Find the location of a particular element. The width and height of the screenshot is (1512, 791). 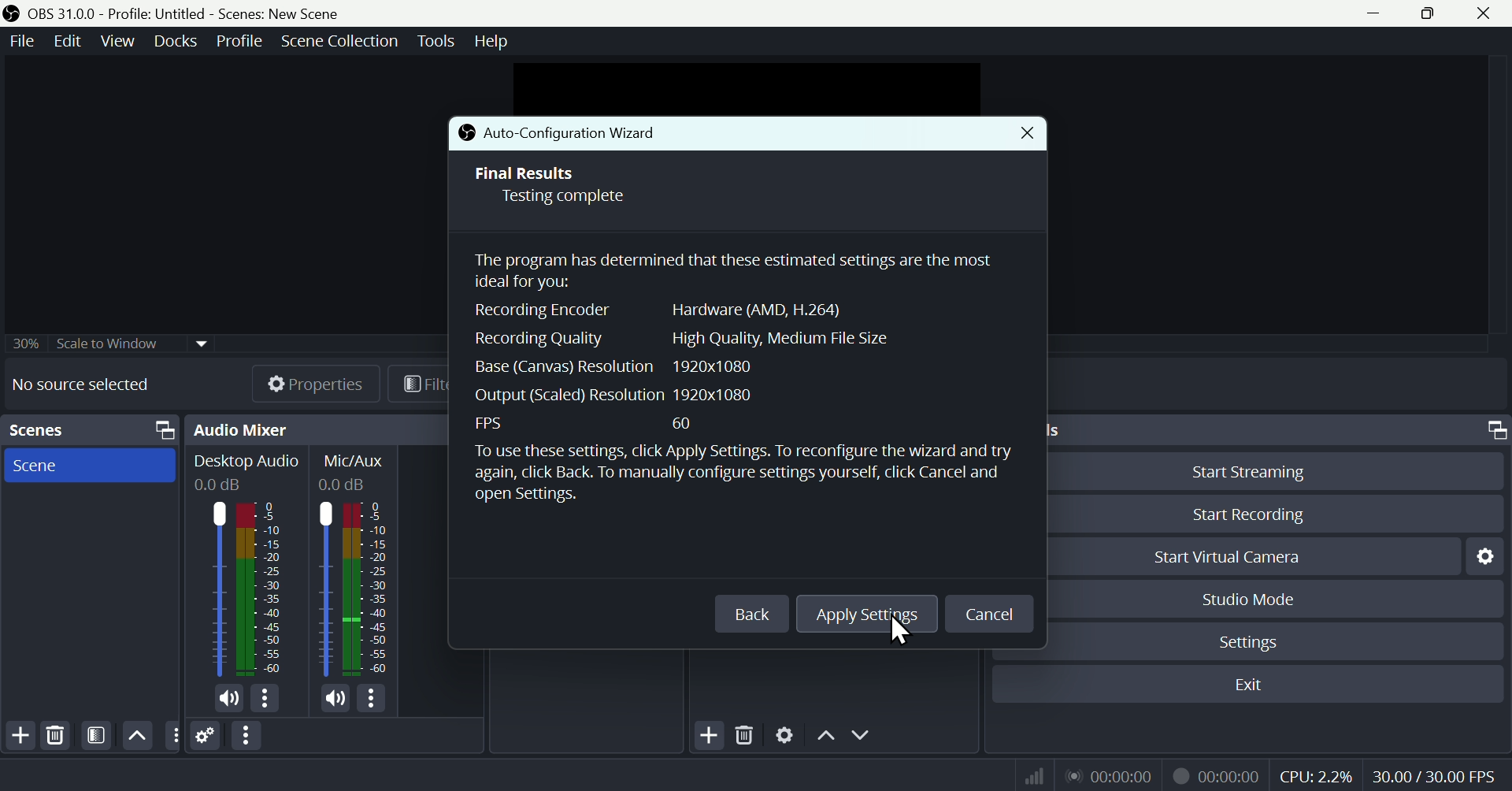

Delete is located at coordinates (745, 732).